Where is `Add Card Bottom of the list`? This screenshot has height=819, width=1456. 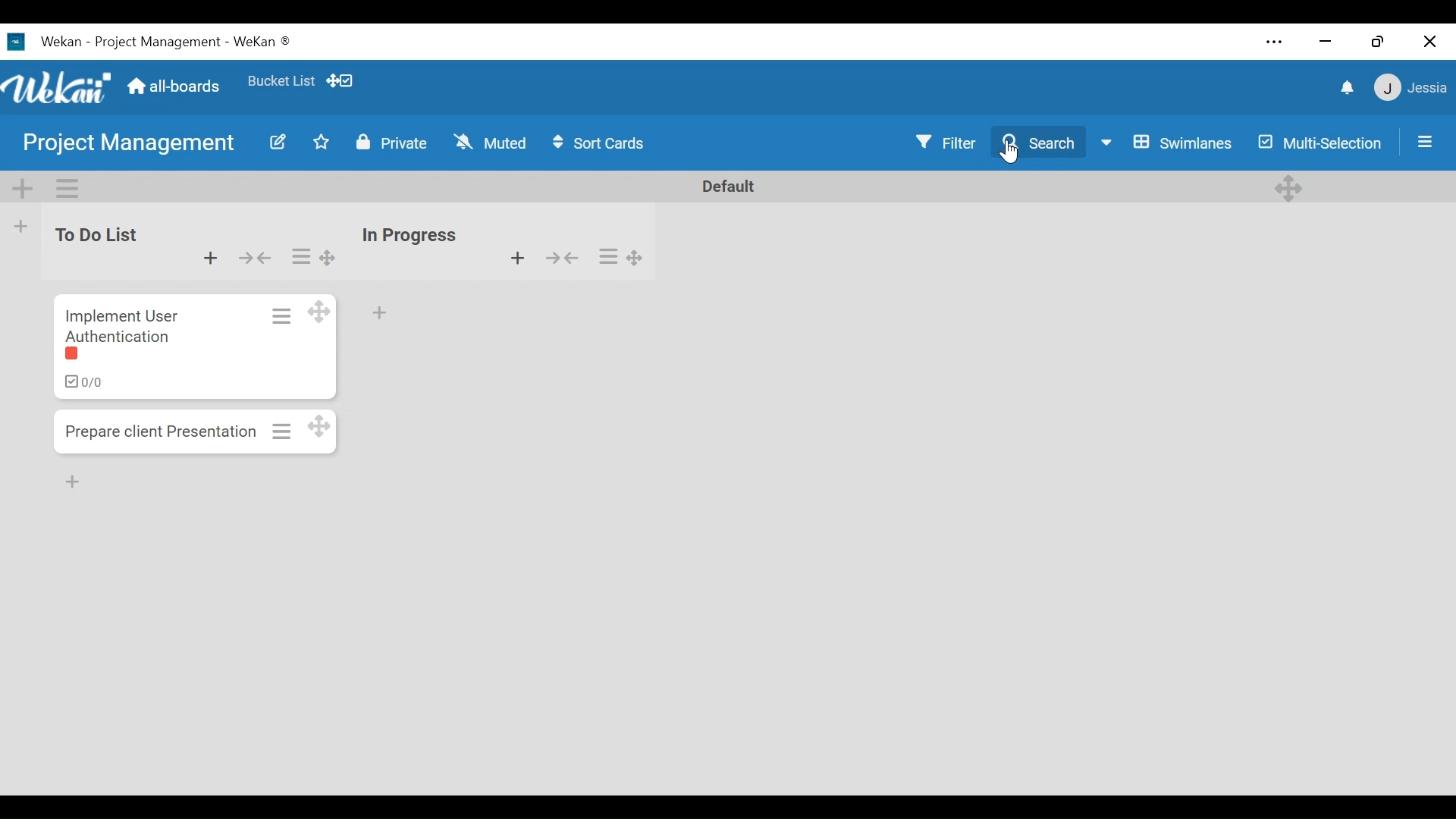 Add Card Bottom of the list is located at coordinates (73, 482).